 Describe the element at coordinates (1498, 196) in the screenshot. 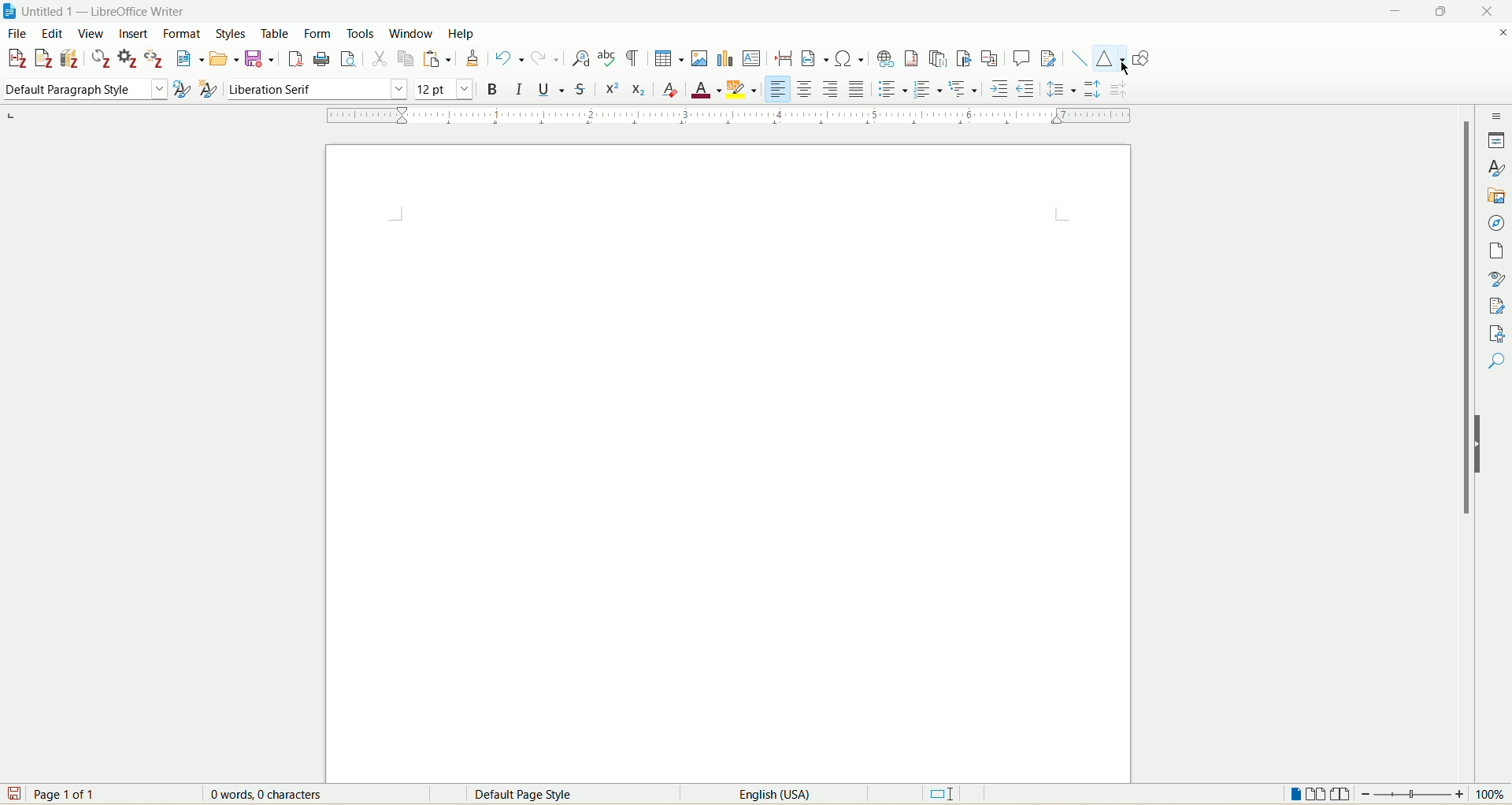

I see `gallary` at that location.